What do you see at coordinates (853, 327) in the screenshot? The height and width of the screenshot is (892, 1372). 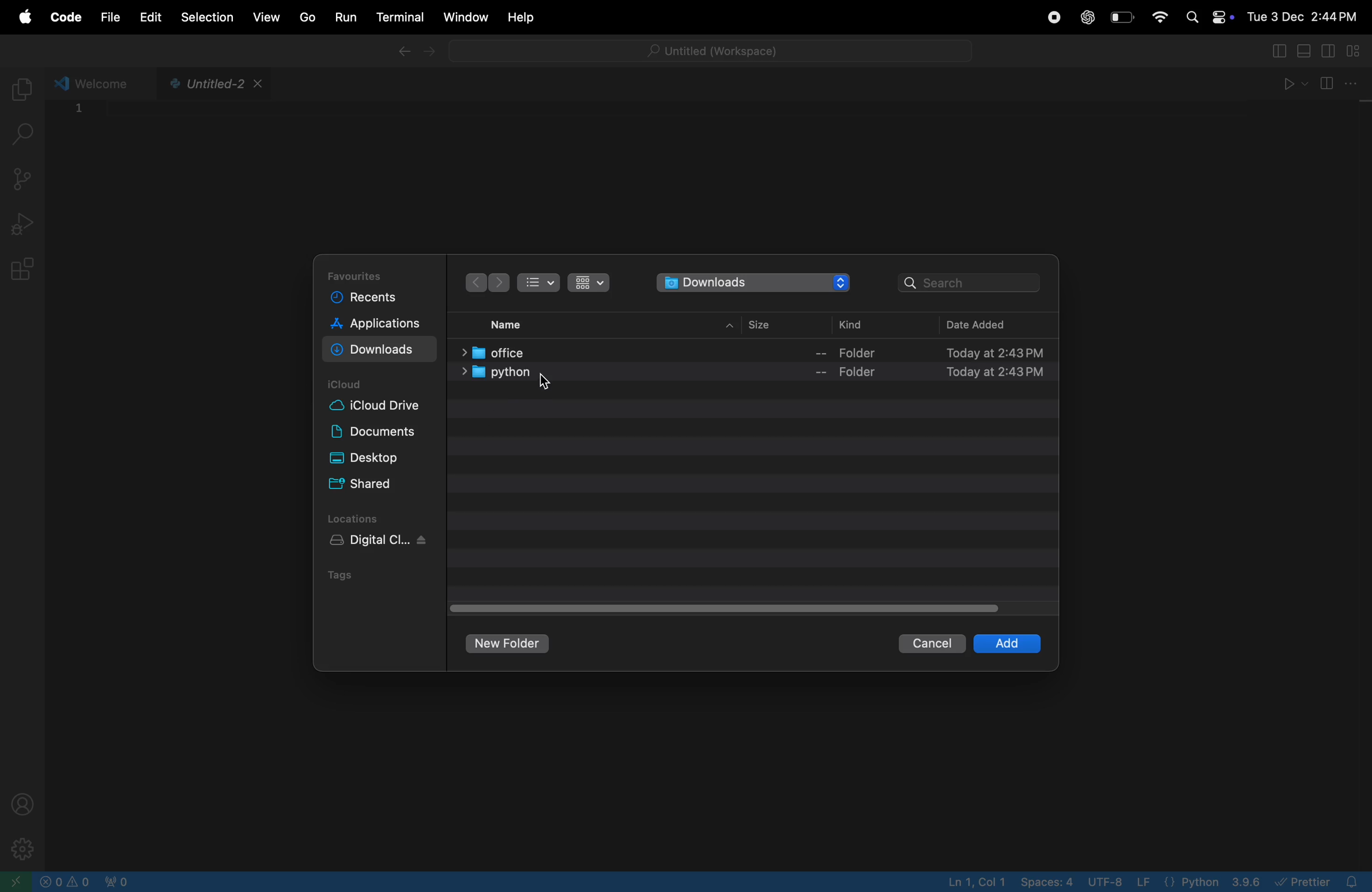 I see `kind` at bounding box center [853, 327].